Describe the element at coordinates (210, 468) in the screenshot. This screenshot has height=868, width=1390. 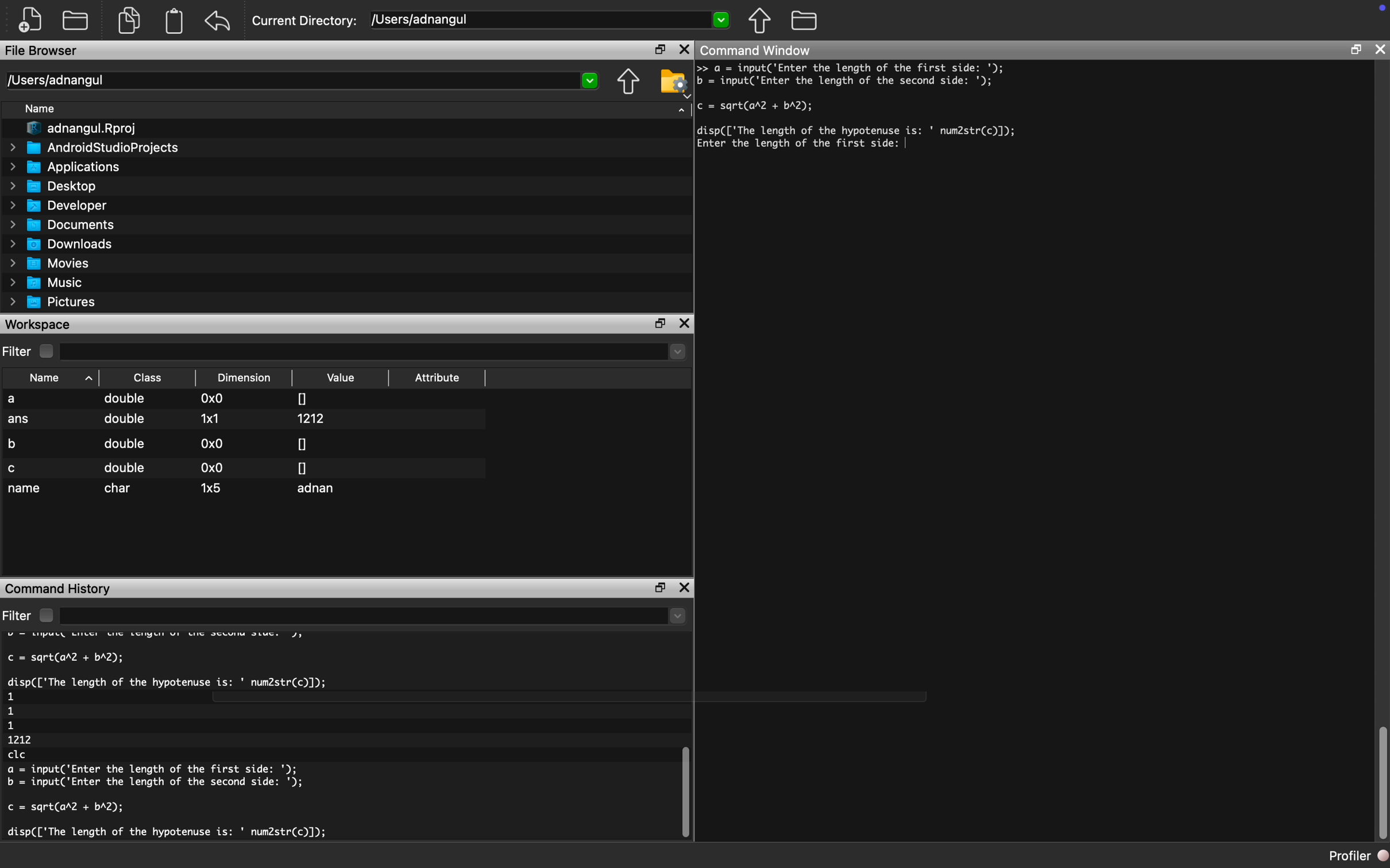
I see `0x0` at that location.